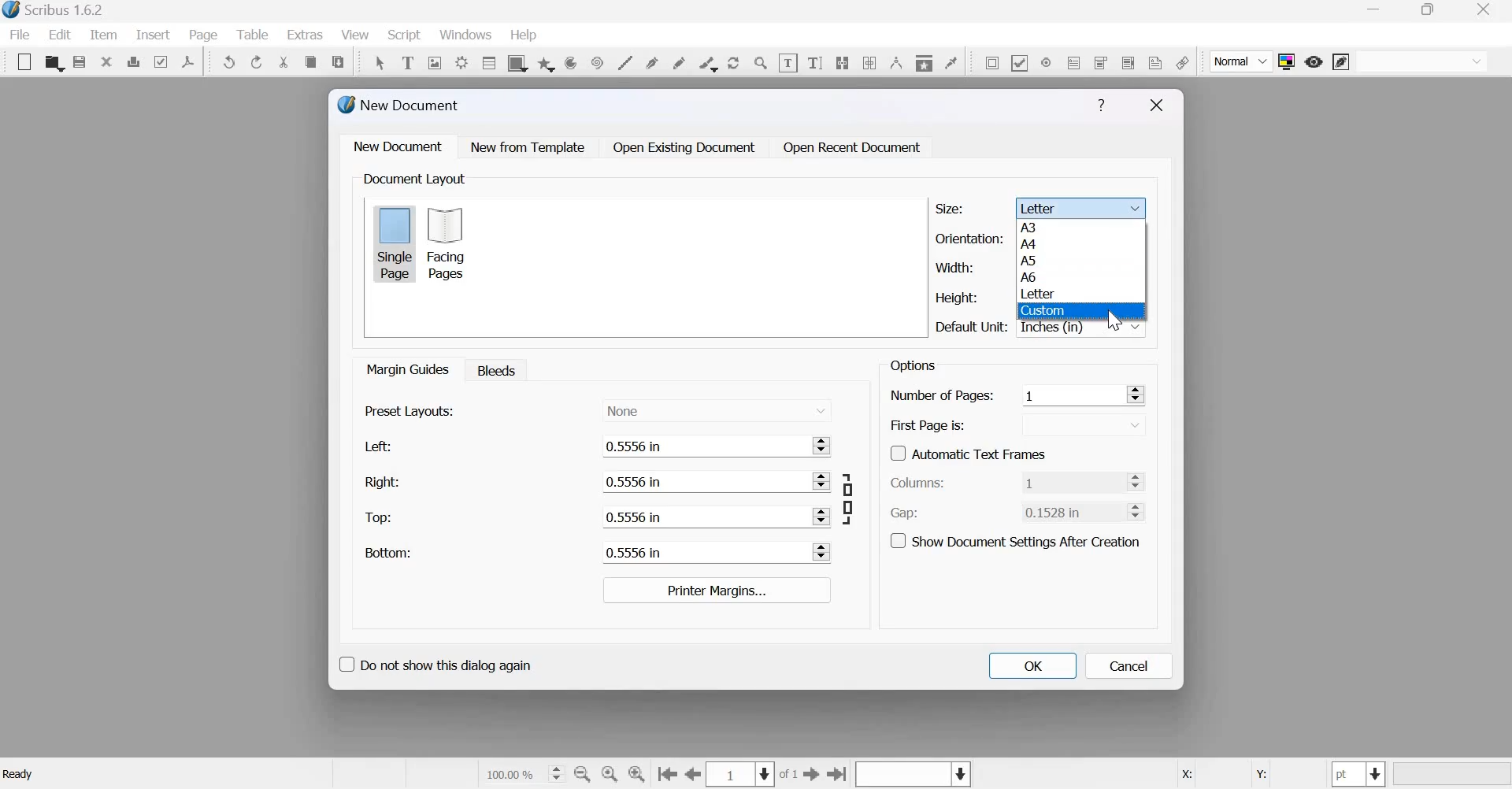 The image size is (1512, 789). I want to click on line, so click(624, 61).